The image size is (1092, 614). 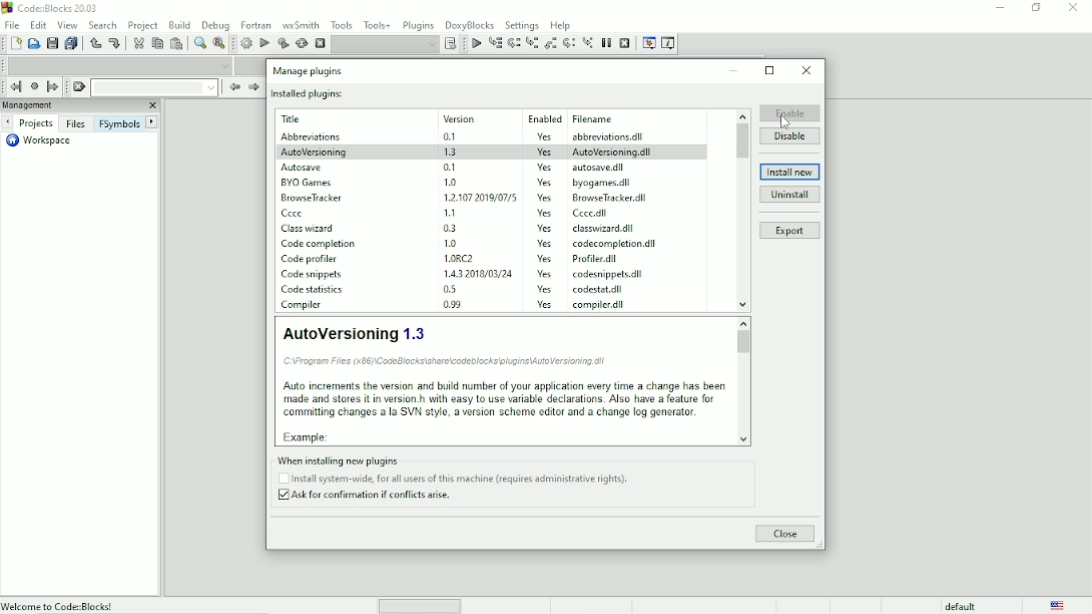 What do you see at coordinates (589, 214) in the screenshot?
I see `file` at bounding box center [589, 214].